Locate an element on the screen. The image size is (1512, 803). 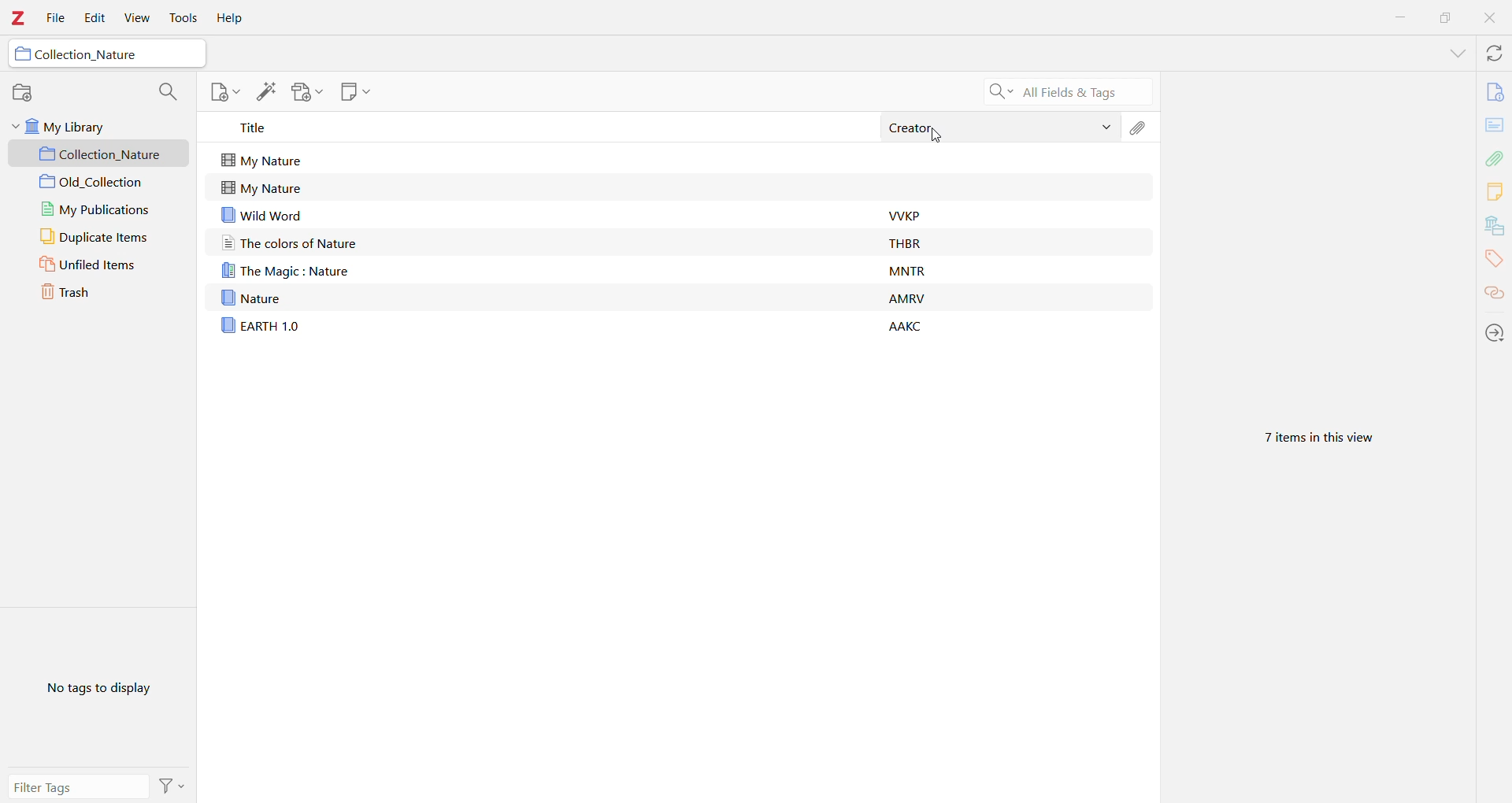
Minimize is located at coordinates (1400, 17).